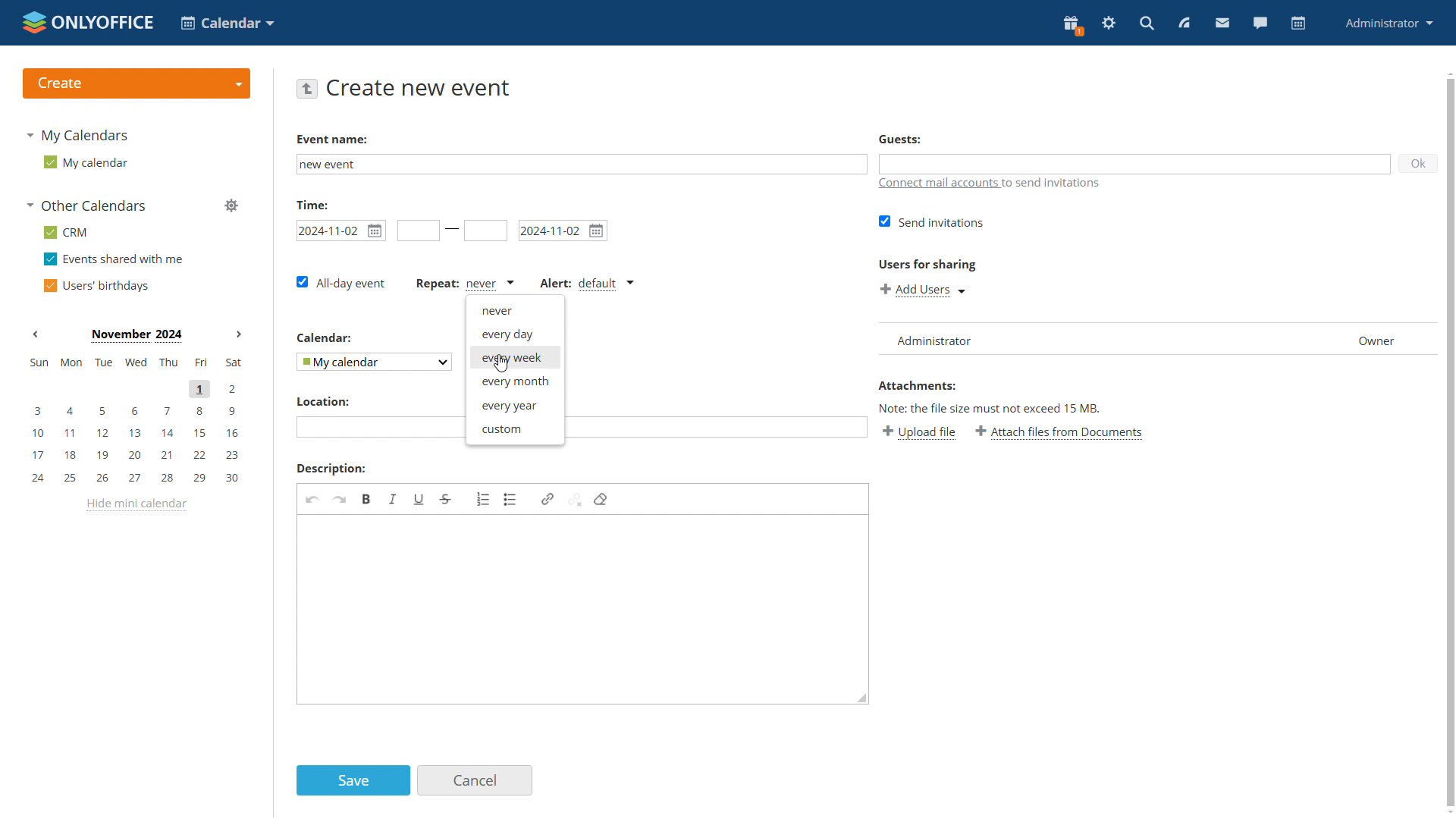 Image resolution: width=1456 pixels, height=819 pixels. Describe the element at coordinates (86, 20) in the screenshot. I see `logo` at that location.